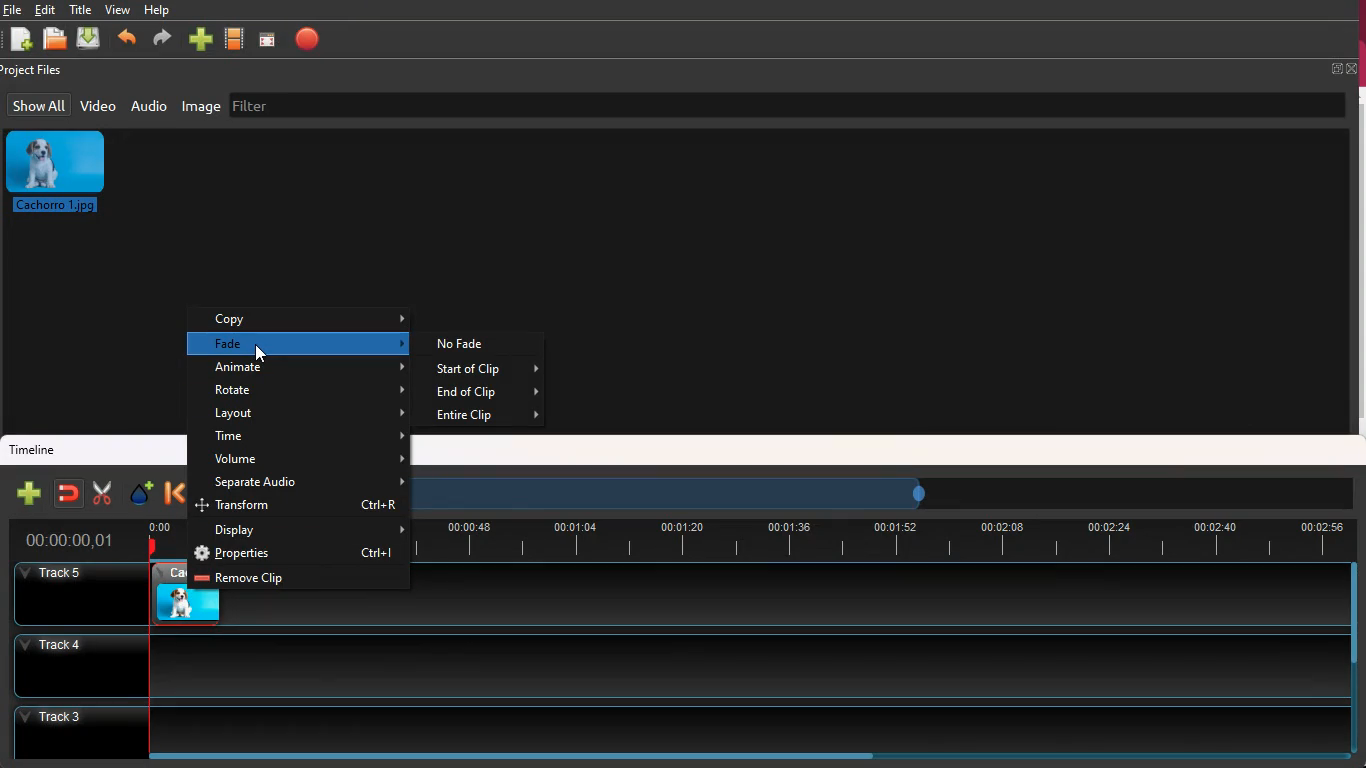 This screenshot has height=768, width=1366. Describe the element at coordinates (129, 38) in the screenshot. I see `back` at that location.